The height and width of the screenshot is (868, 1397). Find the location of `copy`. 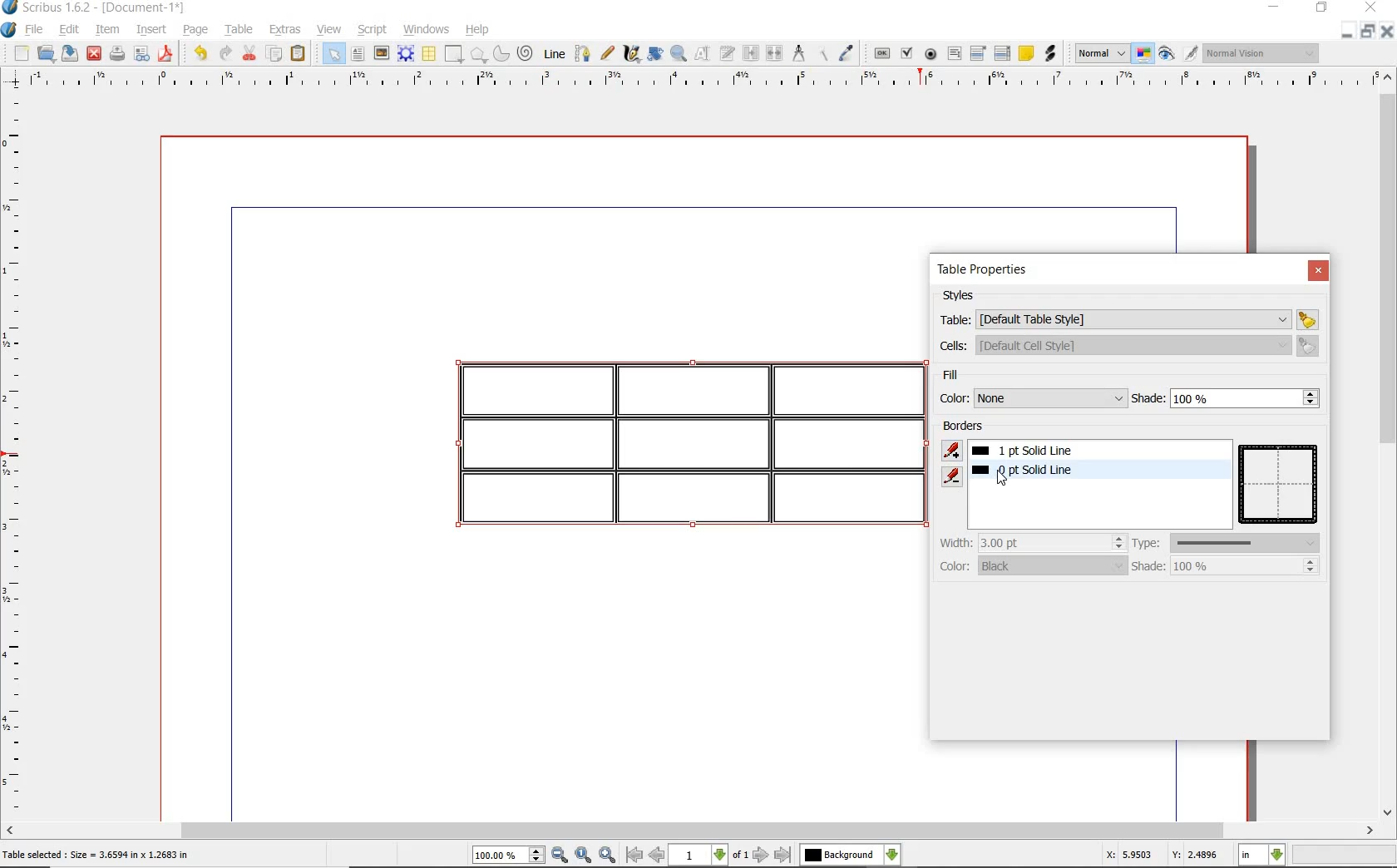

copy is located at coordinates (274, 56).